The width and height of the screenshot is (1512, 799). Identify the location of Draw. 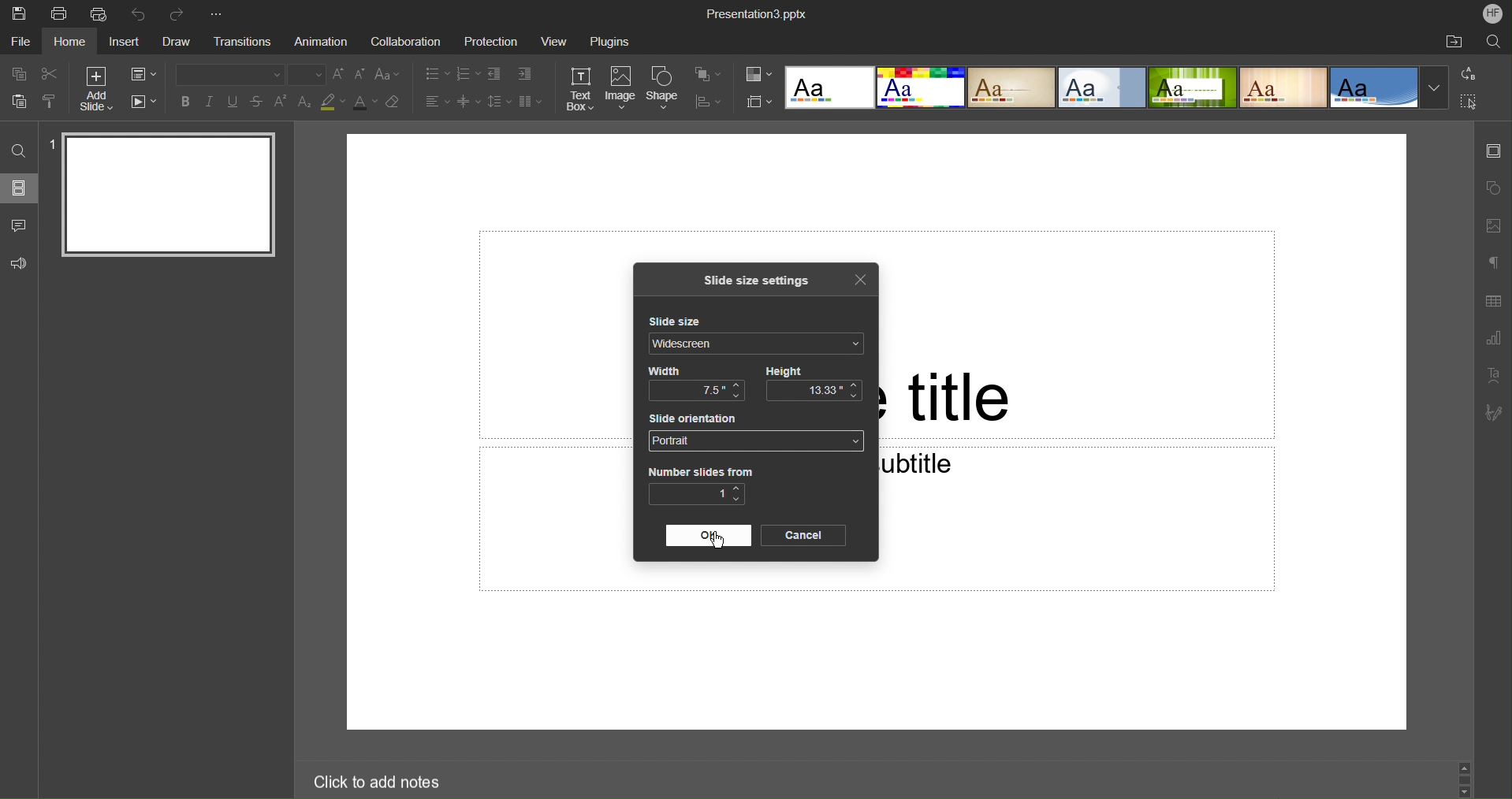
(177, 43).